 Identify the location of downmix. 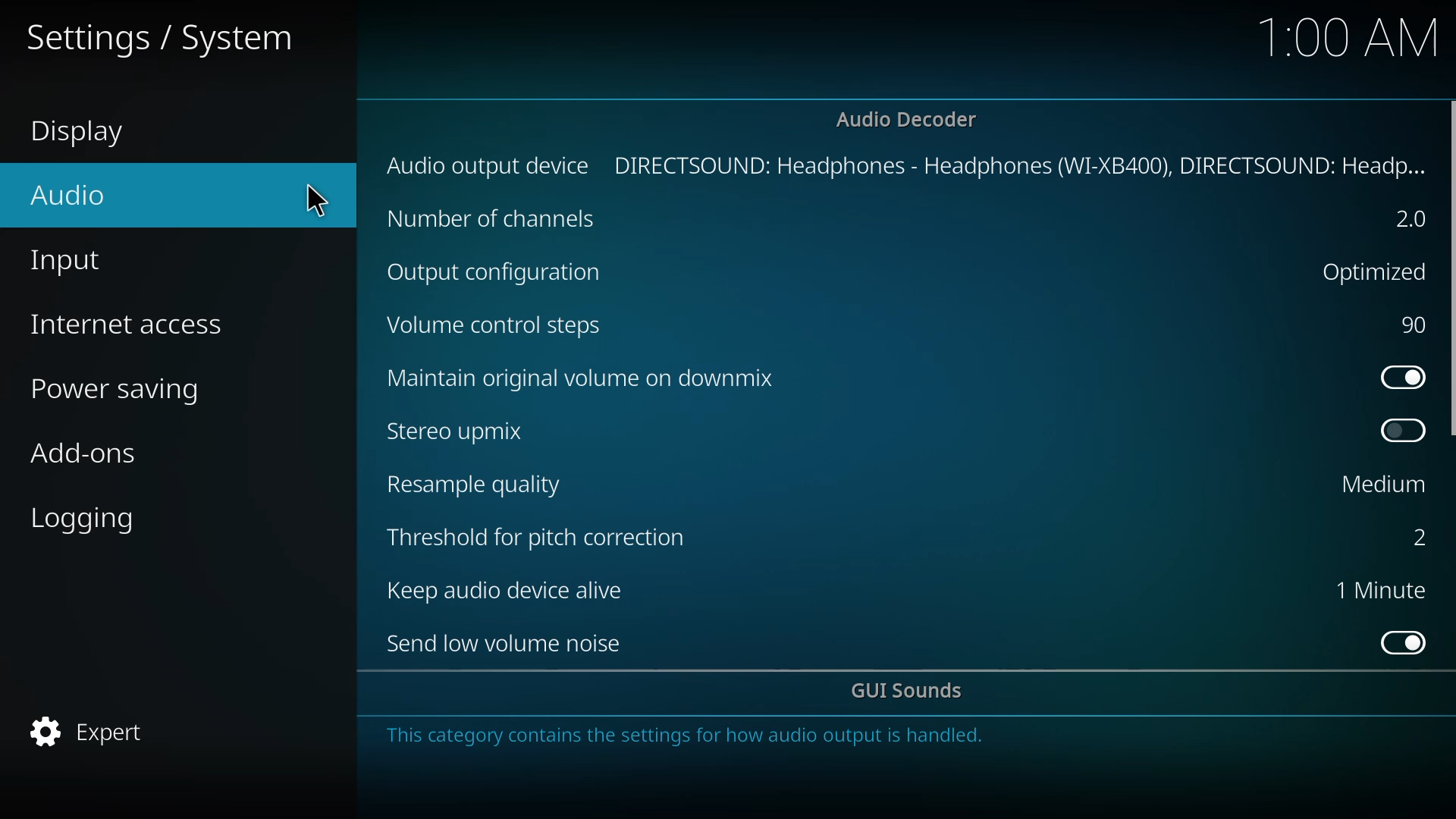
(588, 379).